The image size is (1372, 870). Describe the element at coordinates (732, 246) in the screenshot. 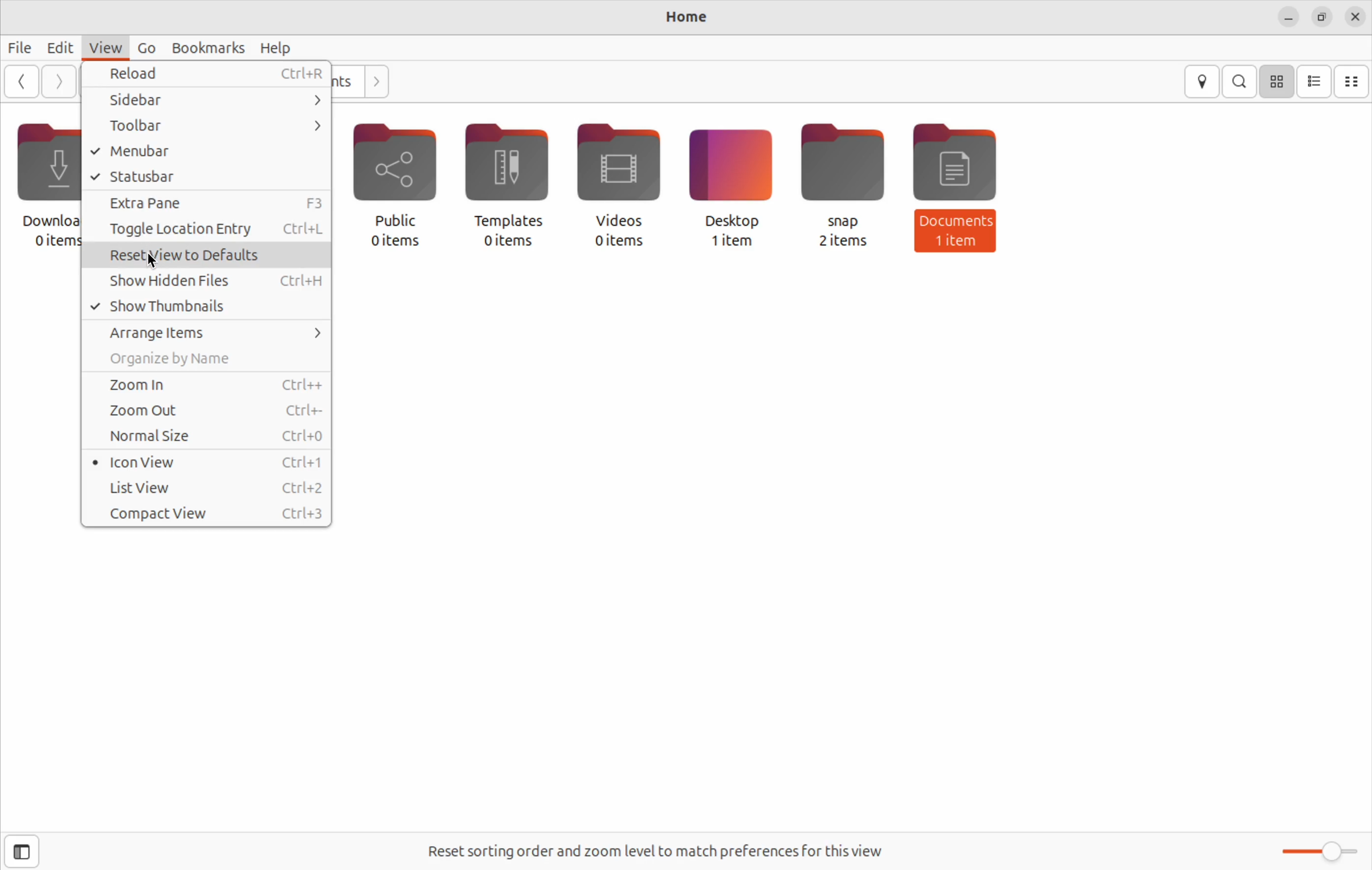

I see `1 item` at that location.